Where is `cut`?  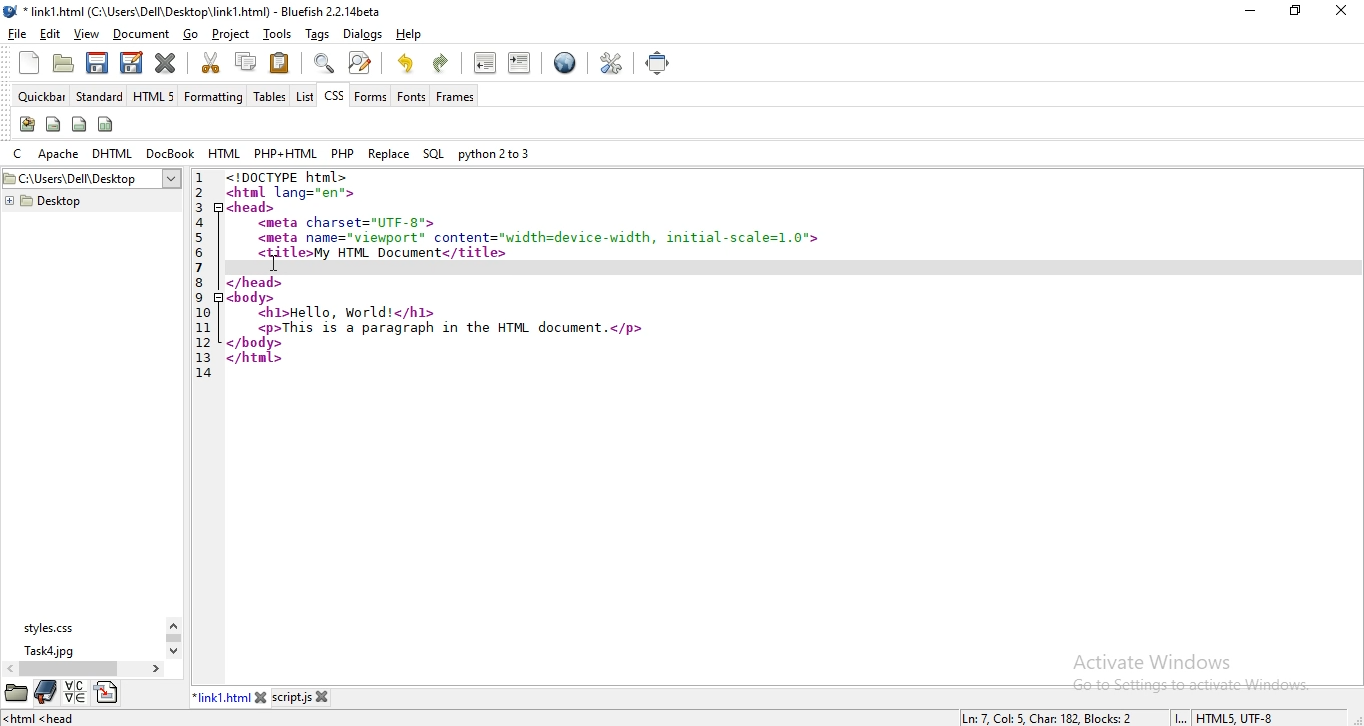 cut is located at coordinates (210, 61).